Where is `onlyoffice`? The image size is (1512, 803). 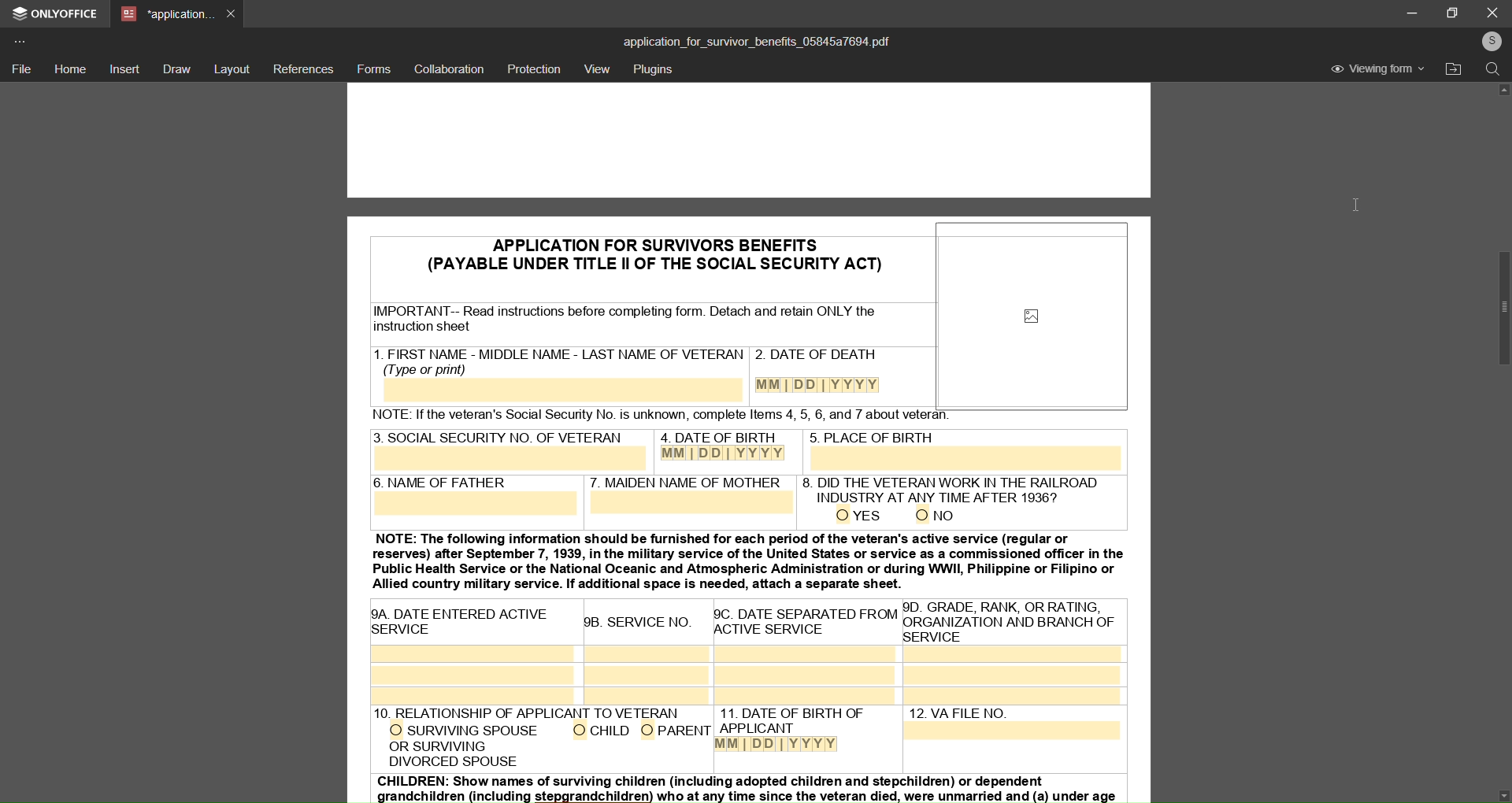
onlyoffice is located at coordinates (57, 16).